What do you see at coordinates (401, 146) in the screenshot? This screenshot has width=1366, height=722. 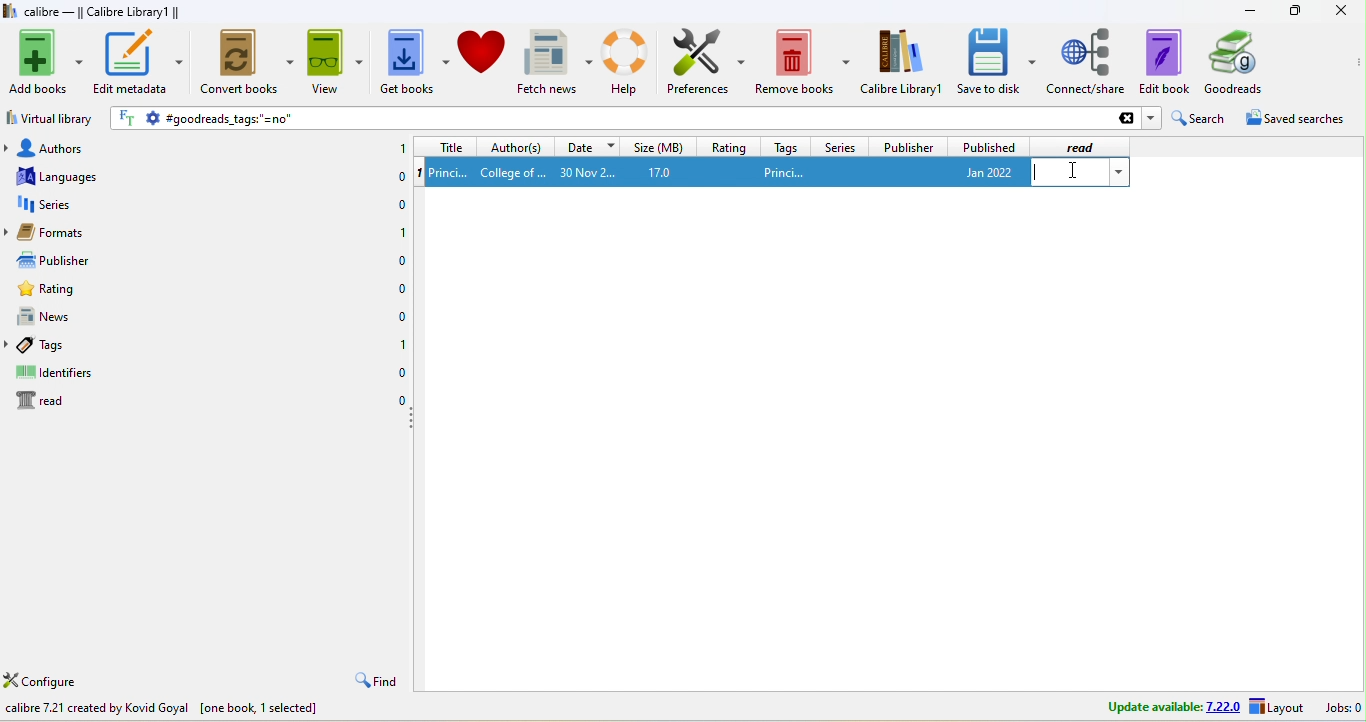 I see `1` at bounding box center [401, 146].